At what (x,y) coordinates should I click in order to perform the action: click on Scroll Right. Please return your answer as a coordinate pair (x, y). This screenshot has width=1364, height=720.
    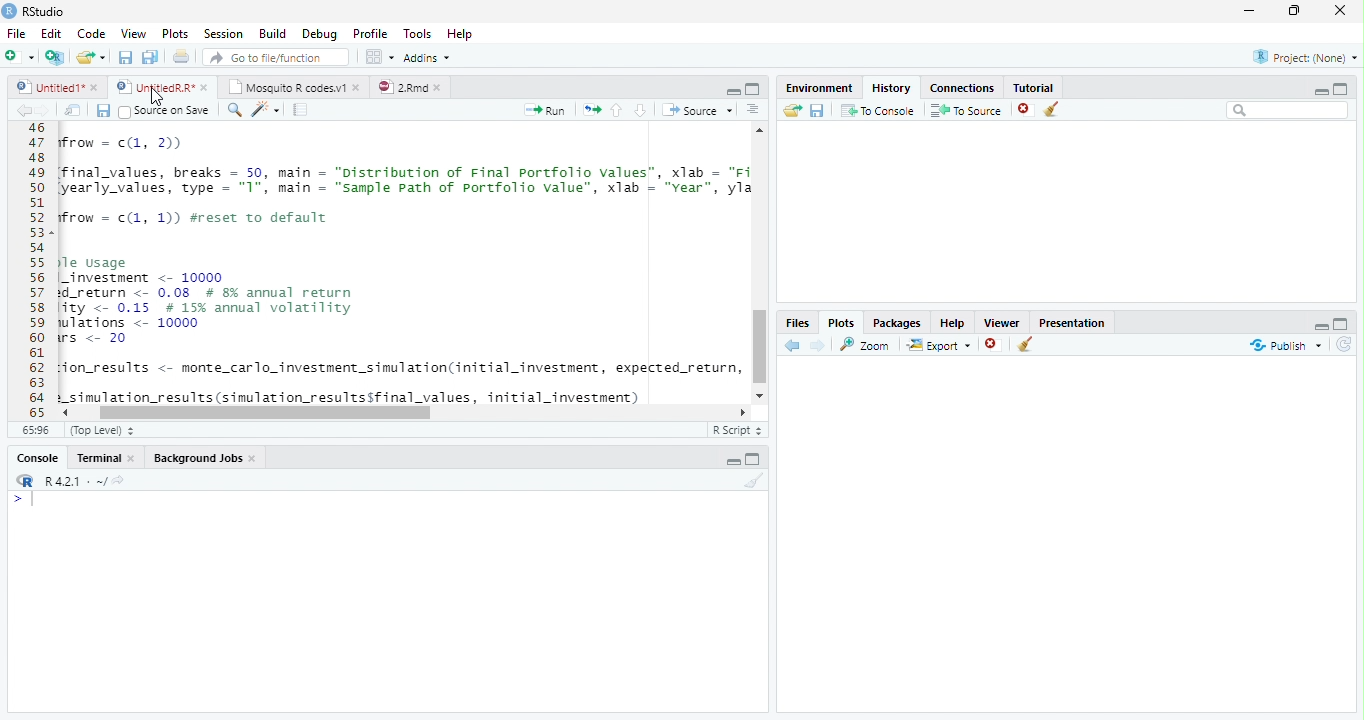
    Looking at the image, I should click on (743, 411).